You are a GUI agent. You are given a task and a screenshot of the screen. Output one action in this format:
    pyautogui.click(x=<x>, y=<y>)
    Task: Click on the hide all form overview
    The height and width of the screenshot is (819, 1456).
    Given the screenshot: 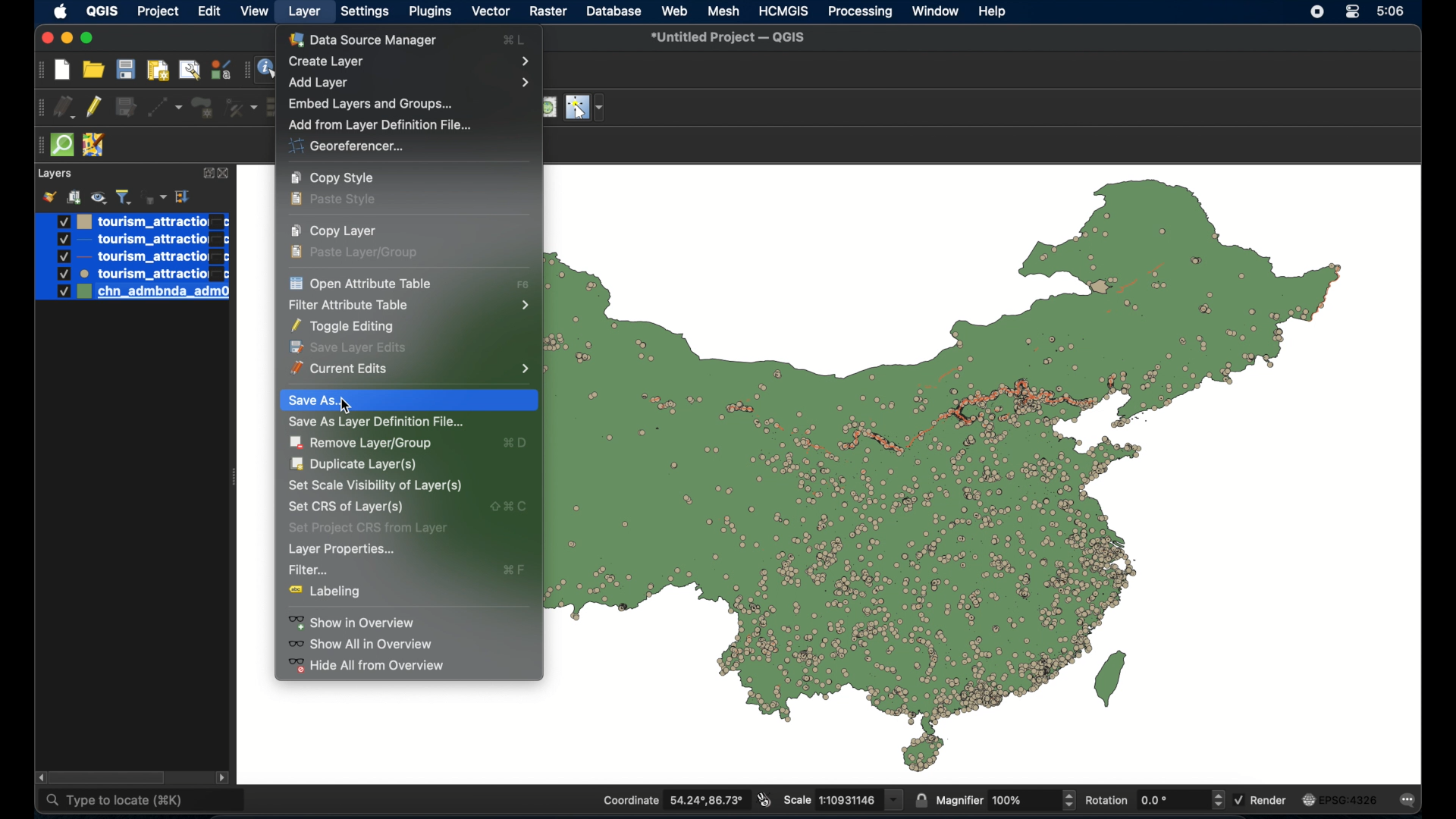 What is the action you would take?
    pyautogui.click(x=366, y=667)
    